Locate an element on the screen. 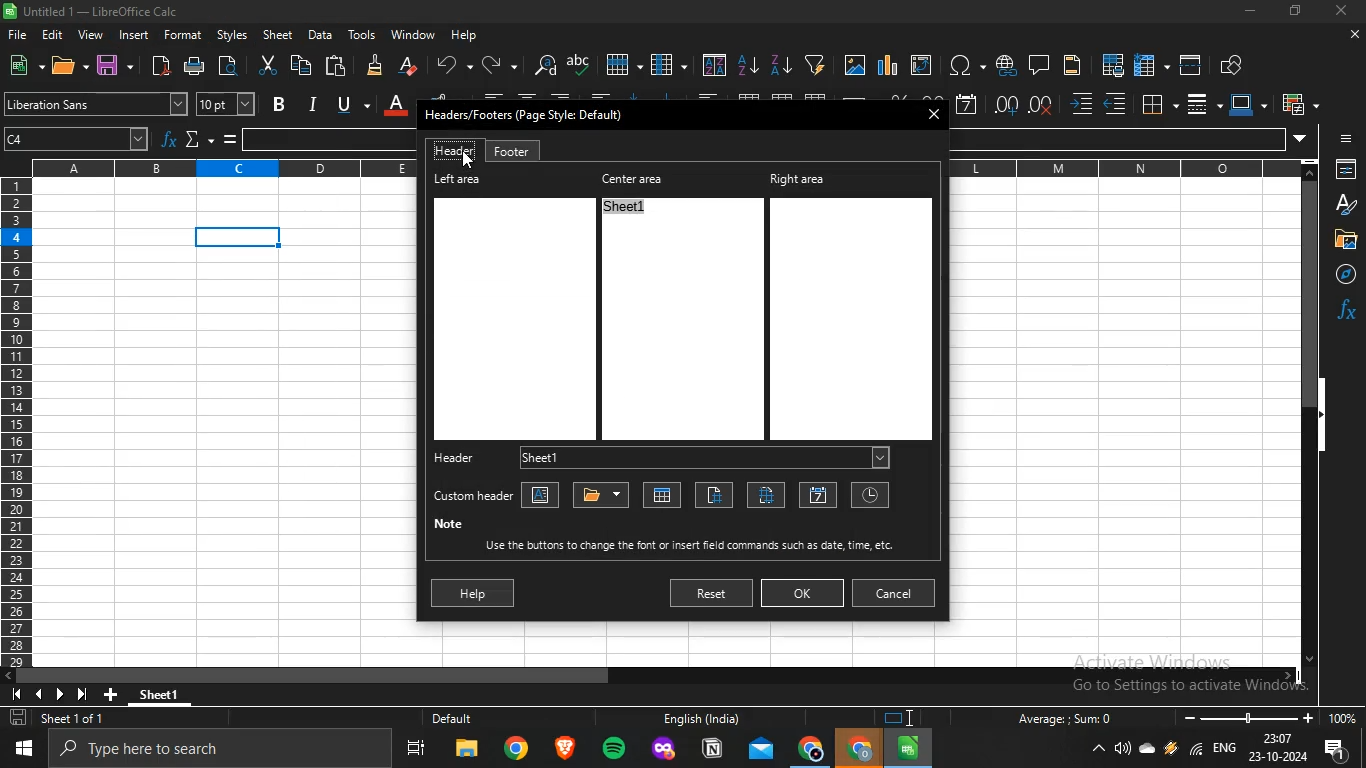 Image resolution: width=1366 pixels, height=768 pixels. row is located at coordinates (15, 426).